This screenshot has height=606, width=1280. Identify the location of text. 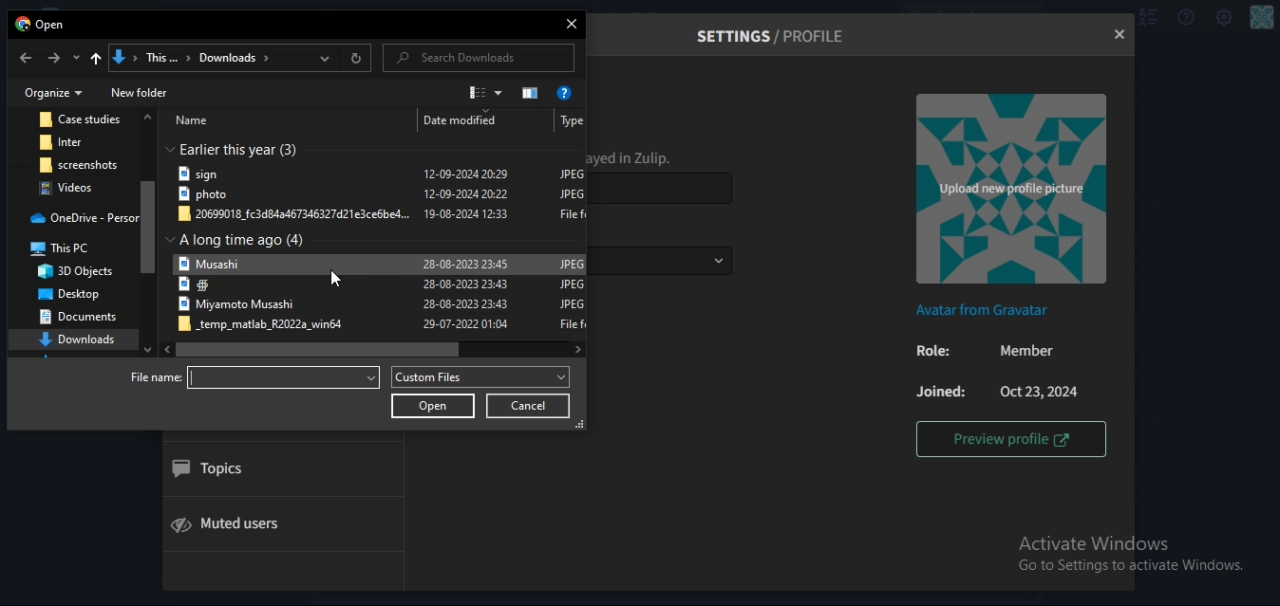
(241, 148).